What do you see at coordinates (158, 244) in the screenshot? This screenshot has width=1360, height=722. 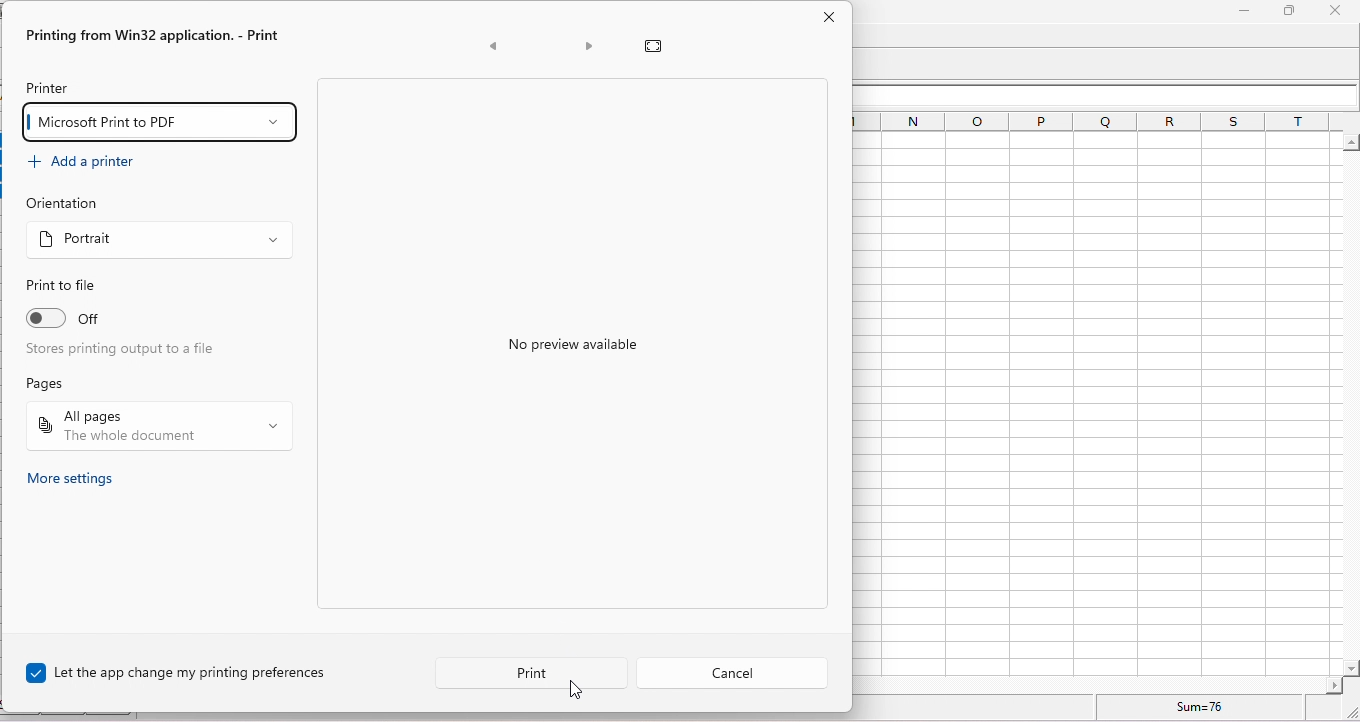 I see `portrait` at bounding box center [158, 244].